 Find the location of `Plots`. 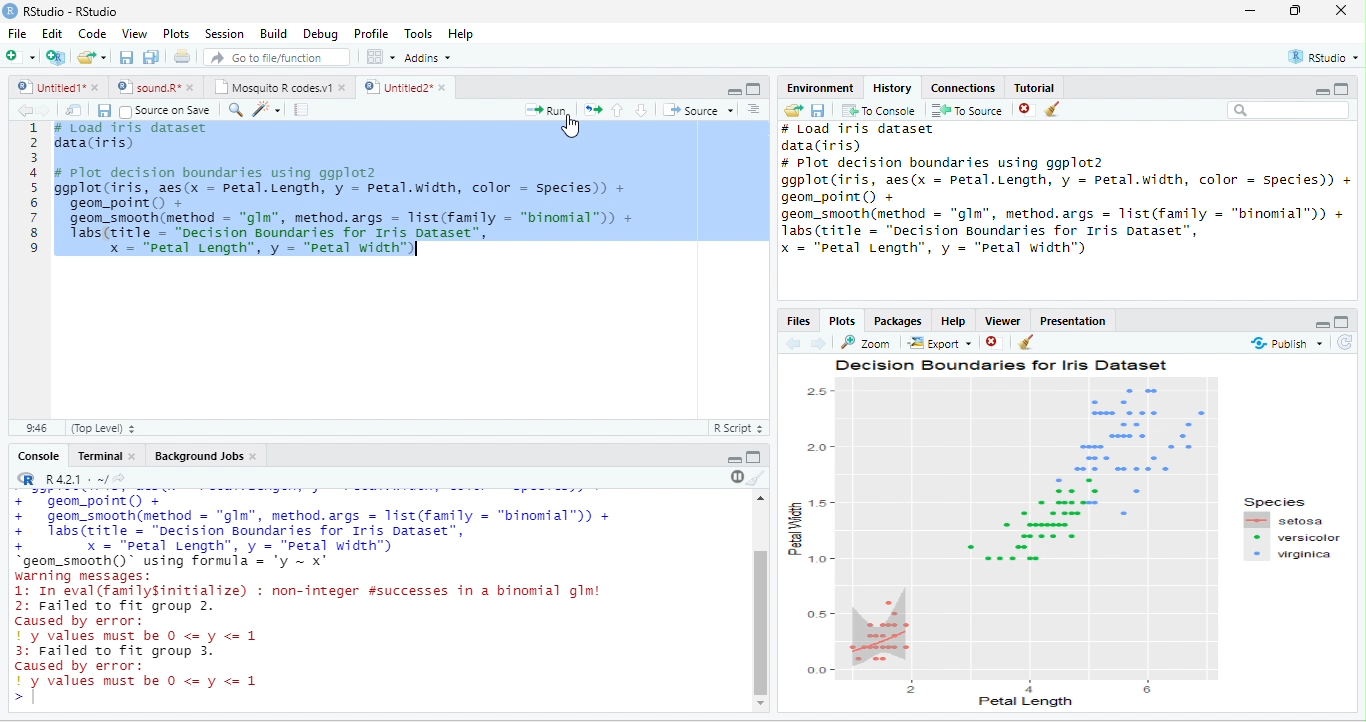

Plots is located at coordinates (176, 34).